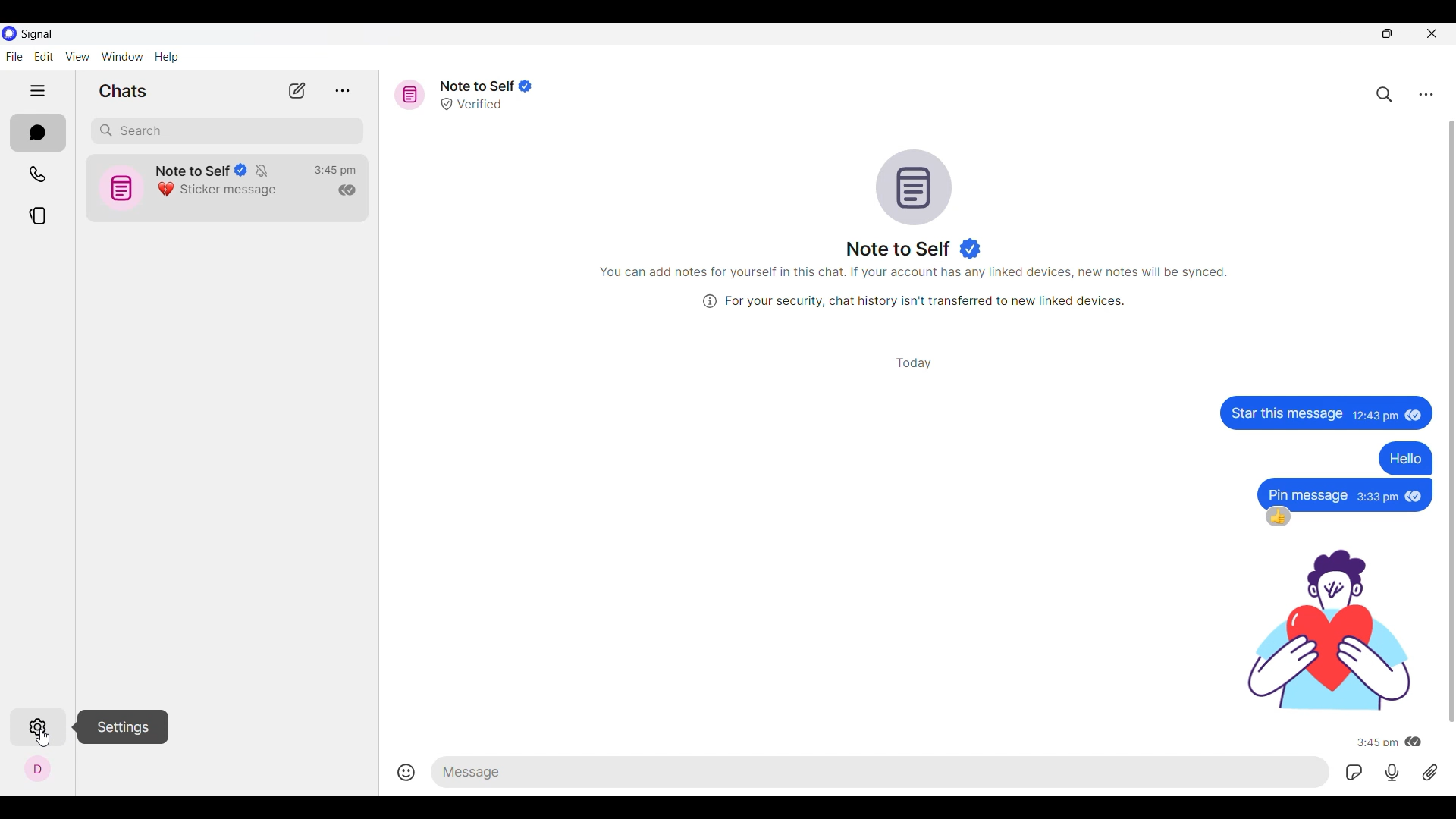  Describe the element at coordinates (123, 91) in the screenshot. I see `Section title` at that location.